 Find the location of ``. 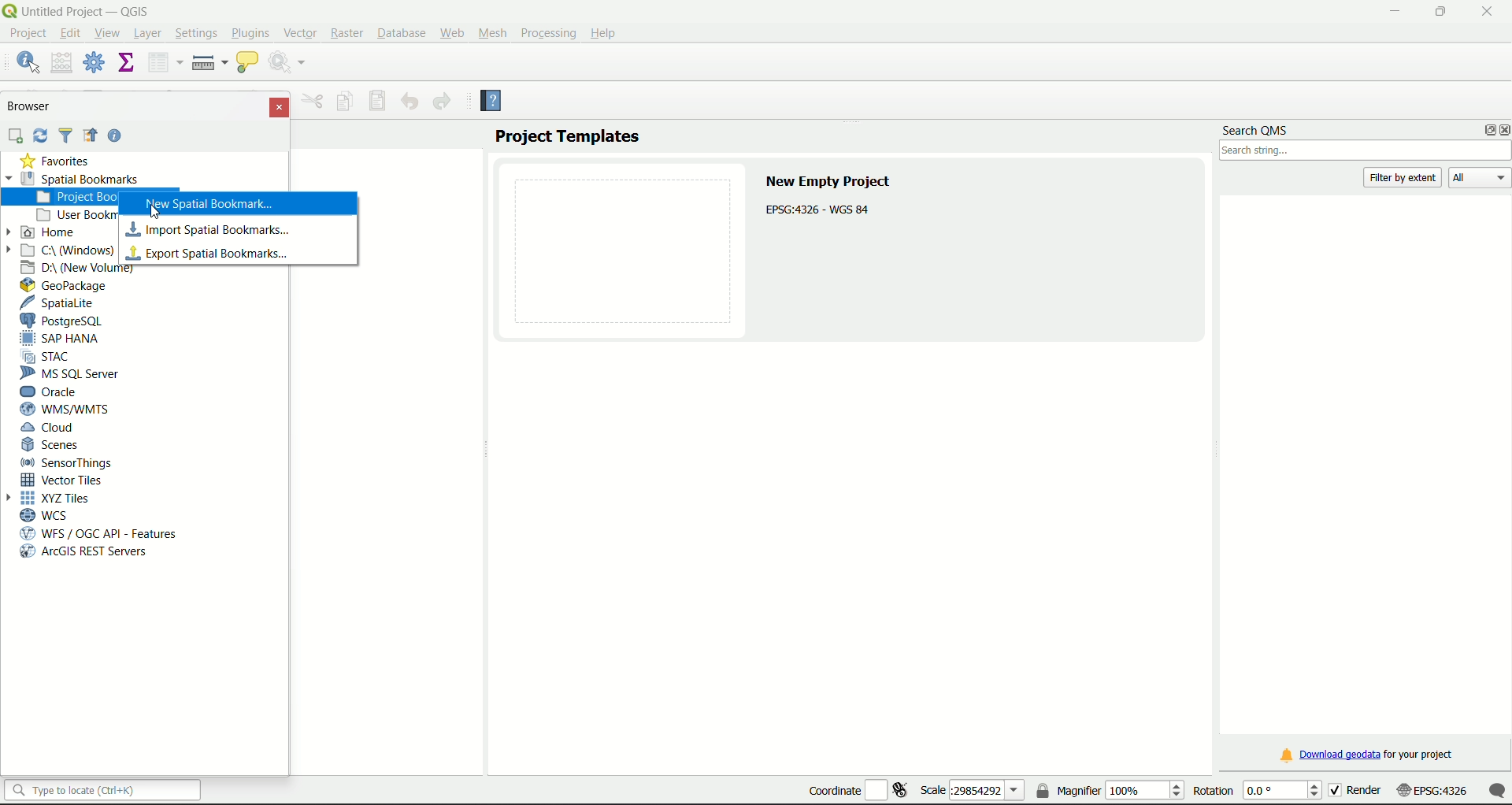

 is located at coordinates (313, 101).